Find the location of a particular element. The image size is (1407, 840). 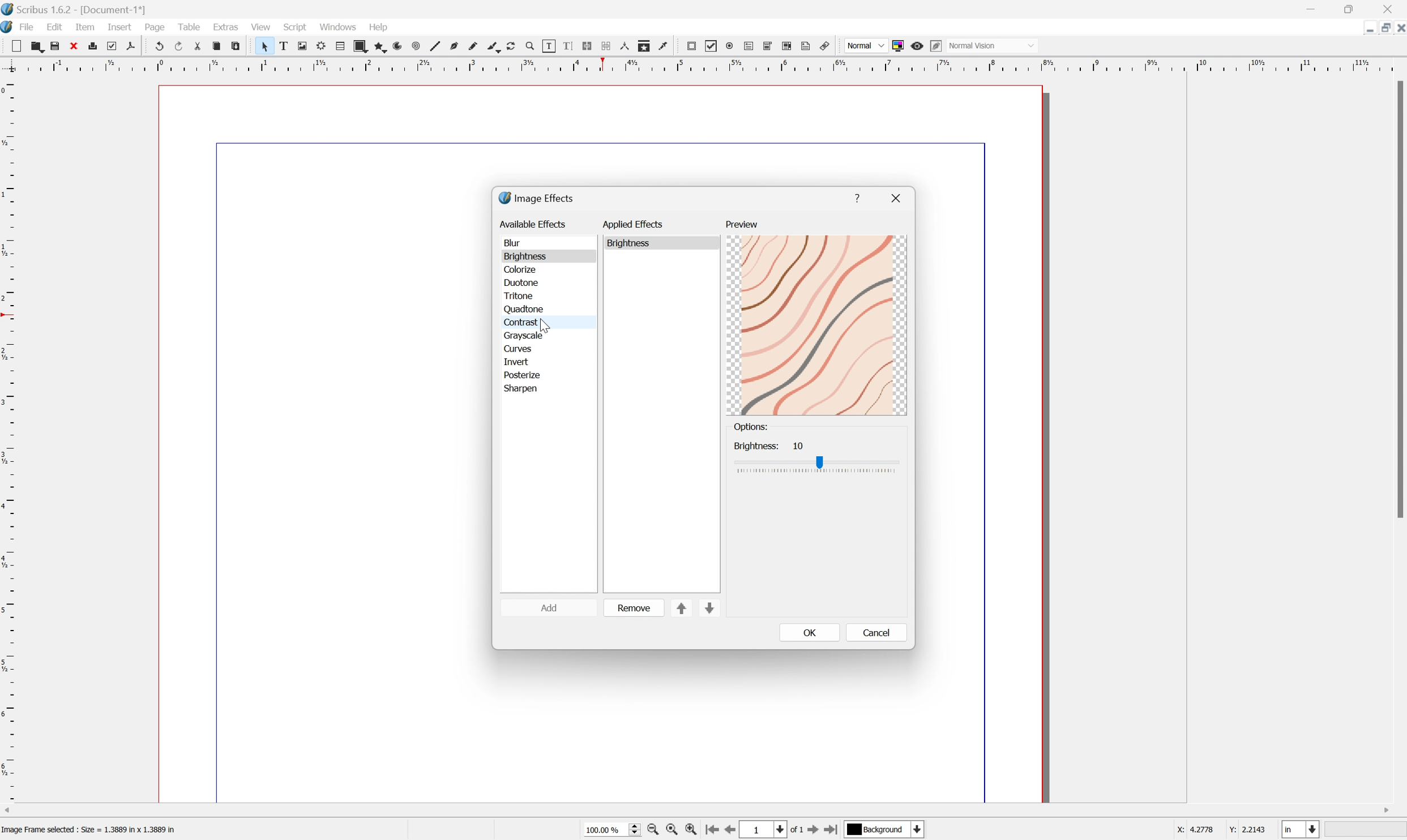

help is located at coordinates (857, 198).